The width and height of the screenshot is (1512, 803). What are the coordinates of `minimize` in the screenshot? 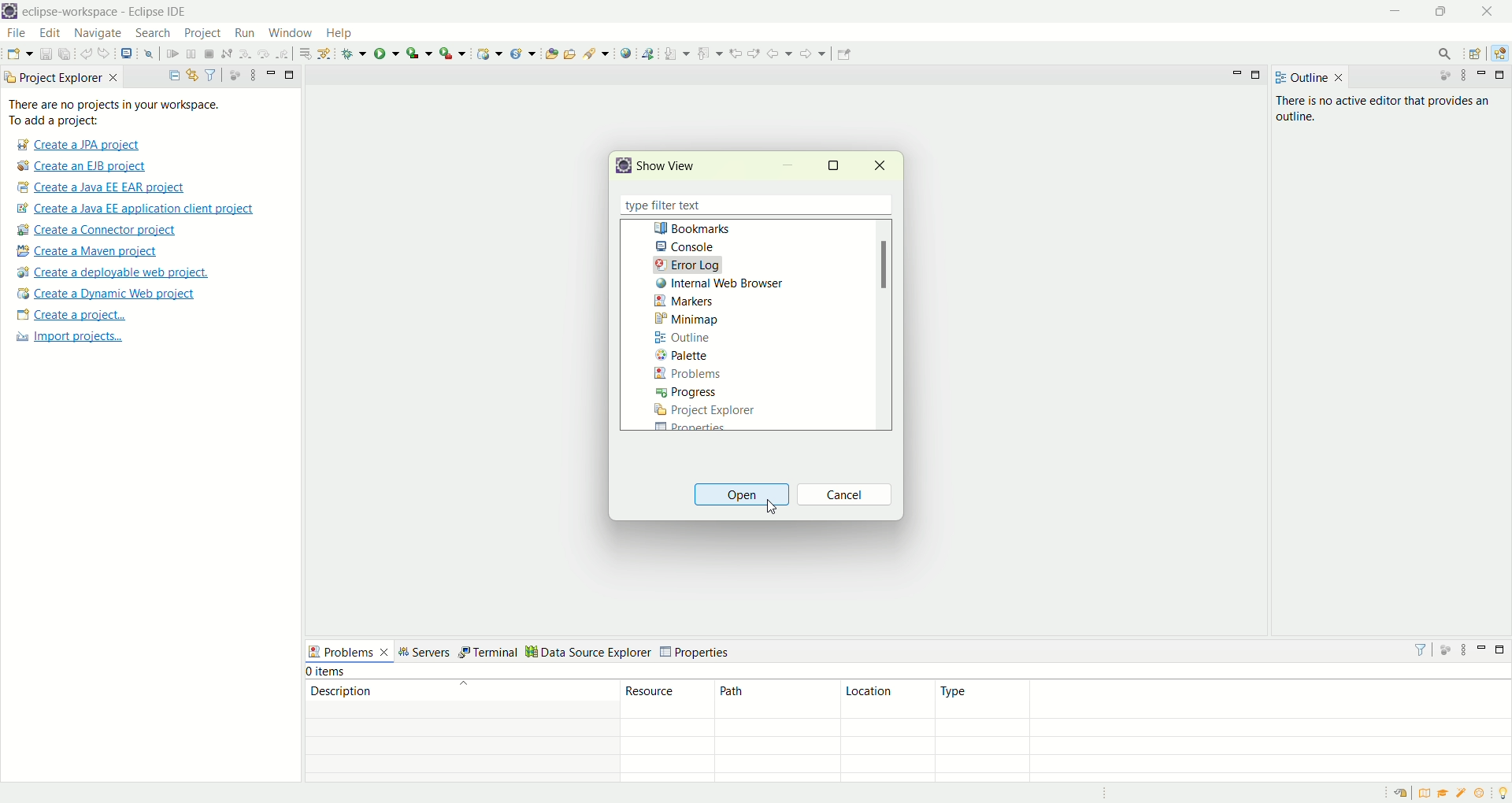 It's located at (1479, 651).